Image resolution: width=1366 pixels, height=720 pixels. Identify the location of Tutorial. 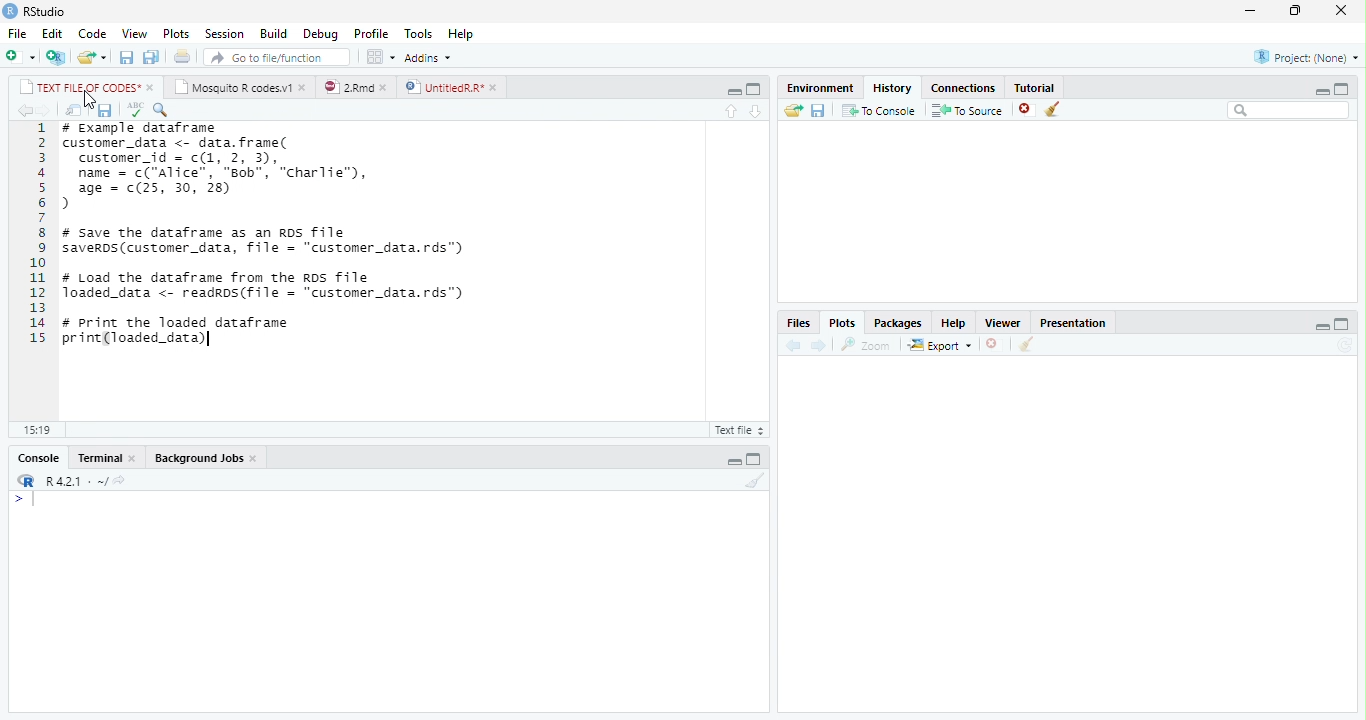
(1036, 87).